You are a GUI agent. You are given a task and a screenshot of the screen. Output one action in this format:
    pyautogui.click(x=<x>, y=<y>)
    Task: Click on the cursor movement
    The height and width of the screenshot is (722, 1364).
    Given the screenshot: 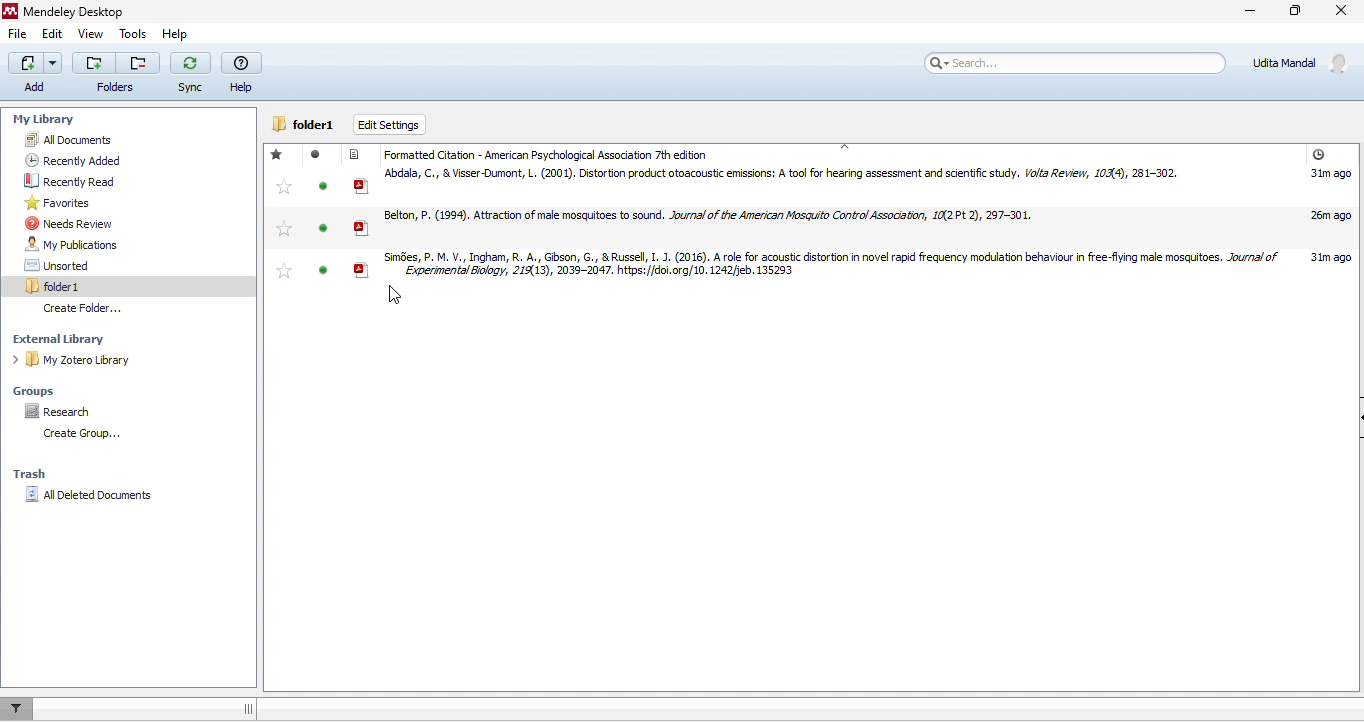 What is the action you would take?
    pyautogui.click(x=397, y=297)
    